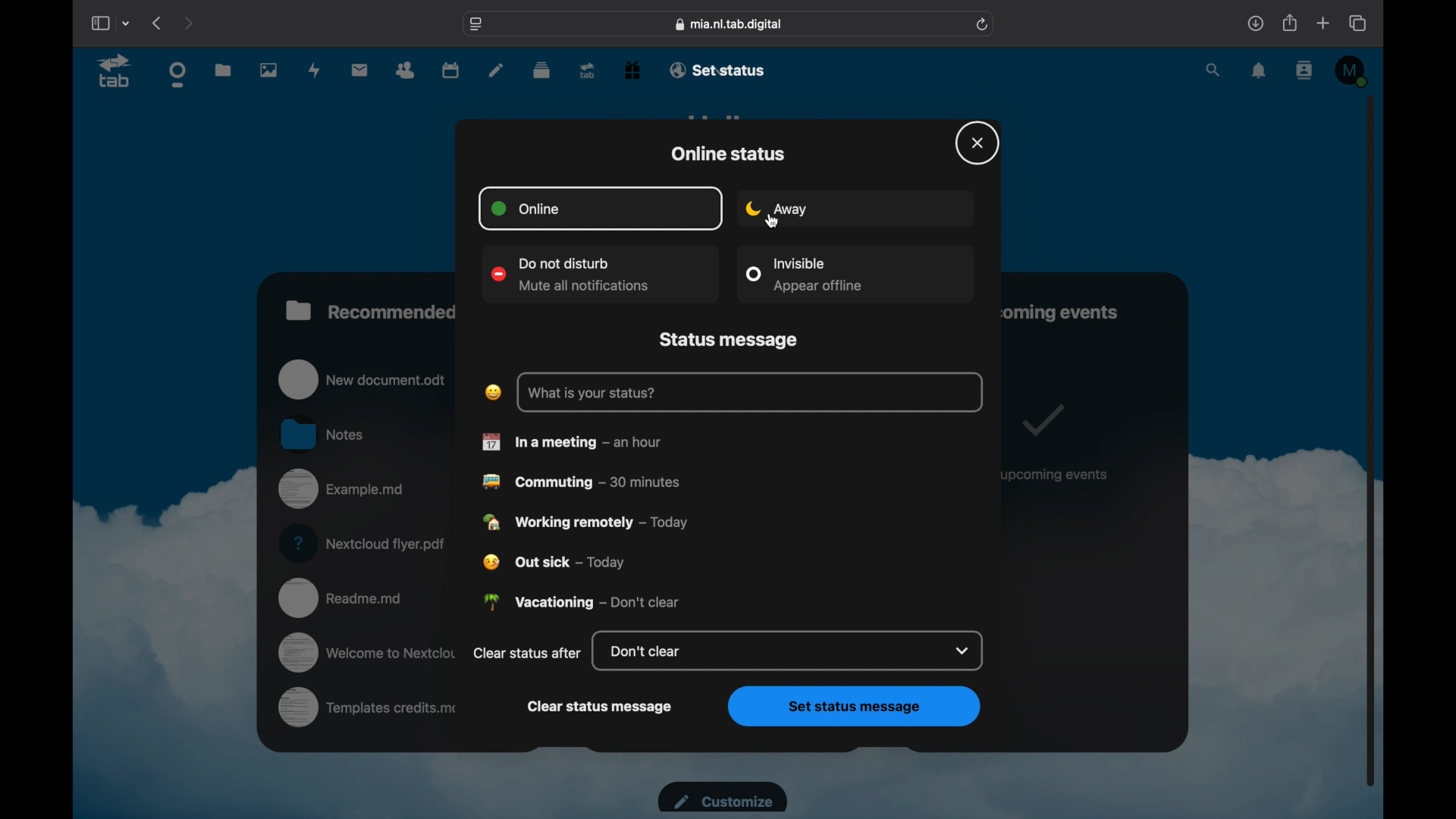  Describe the element at coordinates (525, 209) in the screenshot. I see `online` at that location.